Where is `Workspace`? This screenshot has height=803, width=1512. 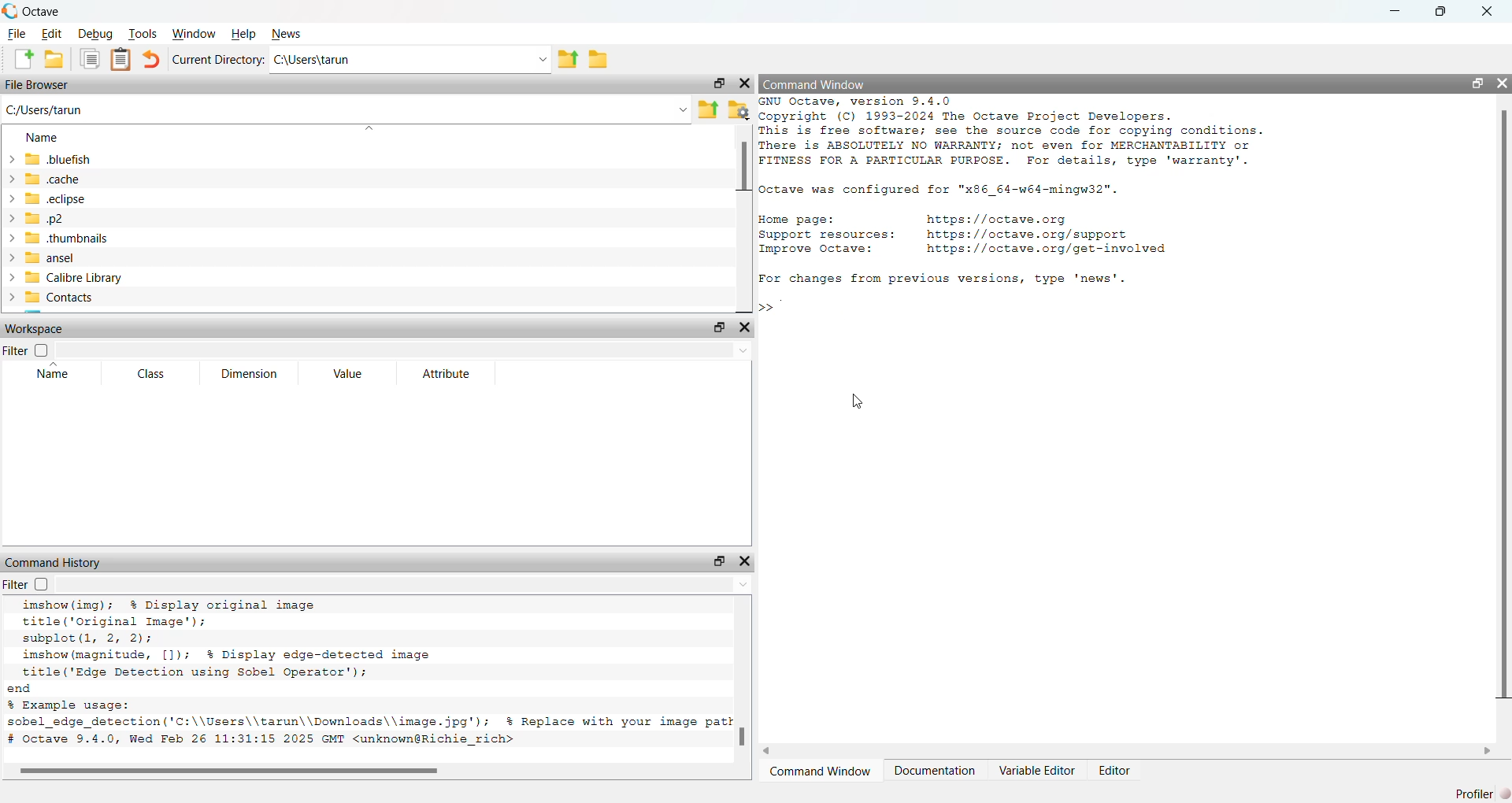
Workspace is located at coordinates (35, 327).